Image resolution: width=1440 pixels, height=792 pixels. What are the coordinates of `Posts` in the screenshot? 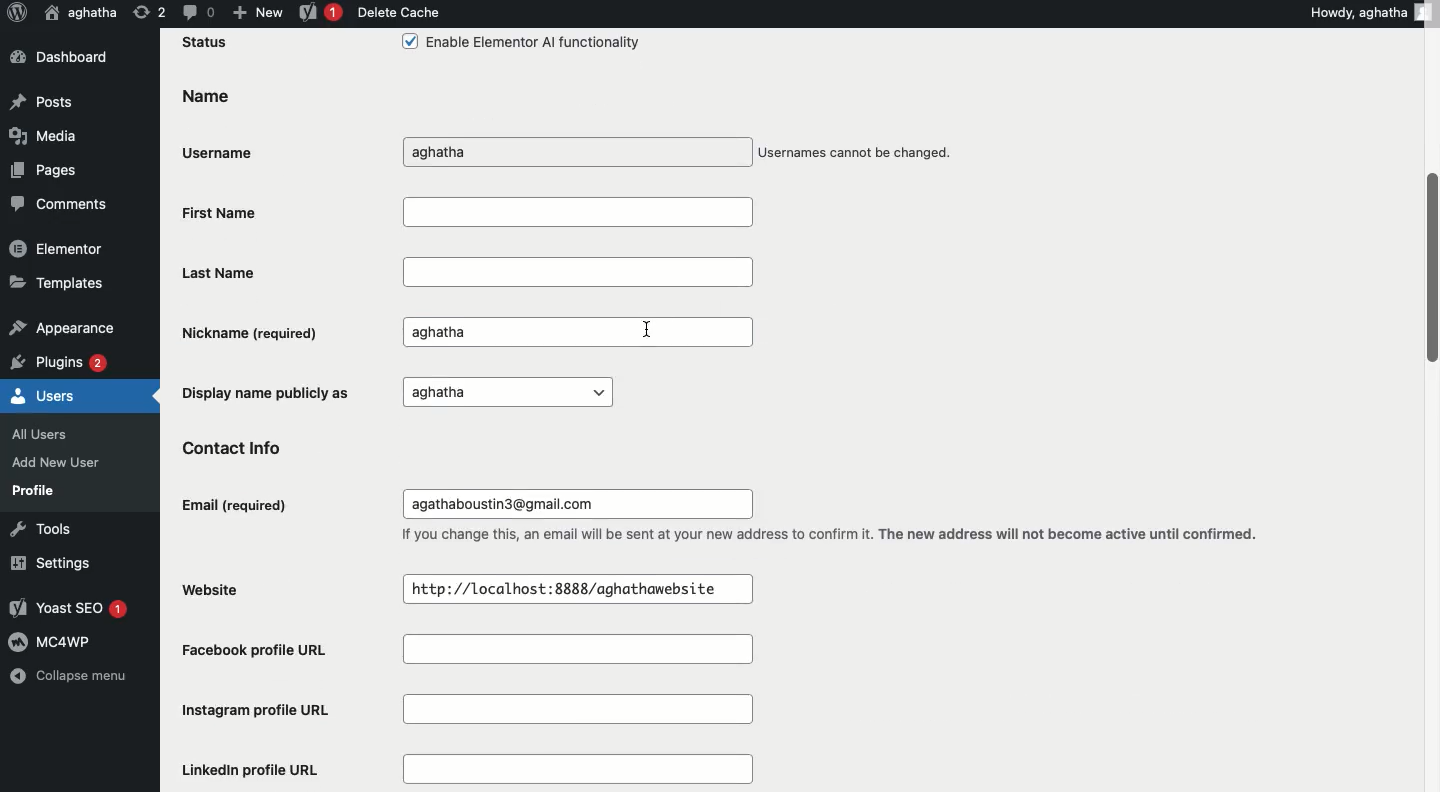 It's located at (43, 104).